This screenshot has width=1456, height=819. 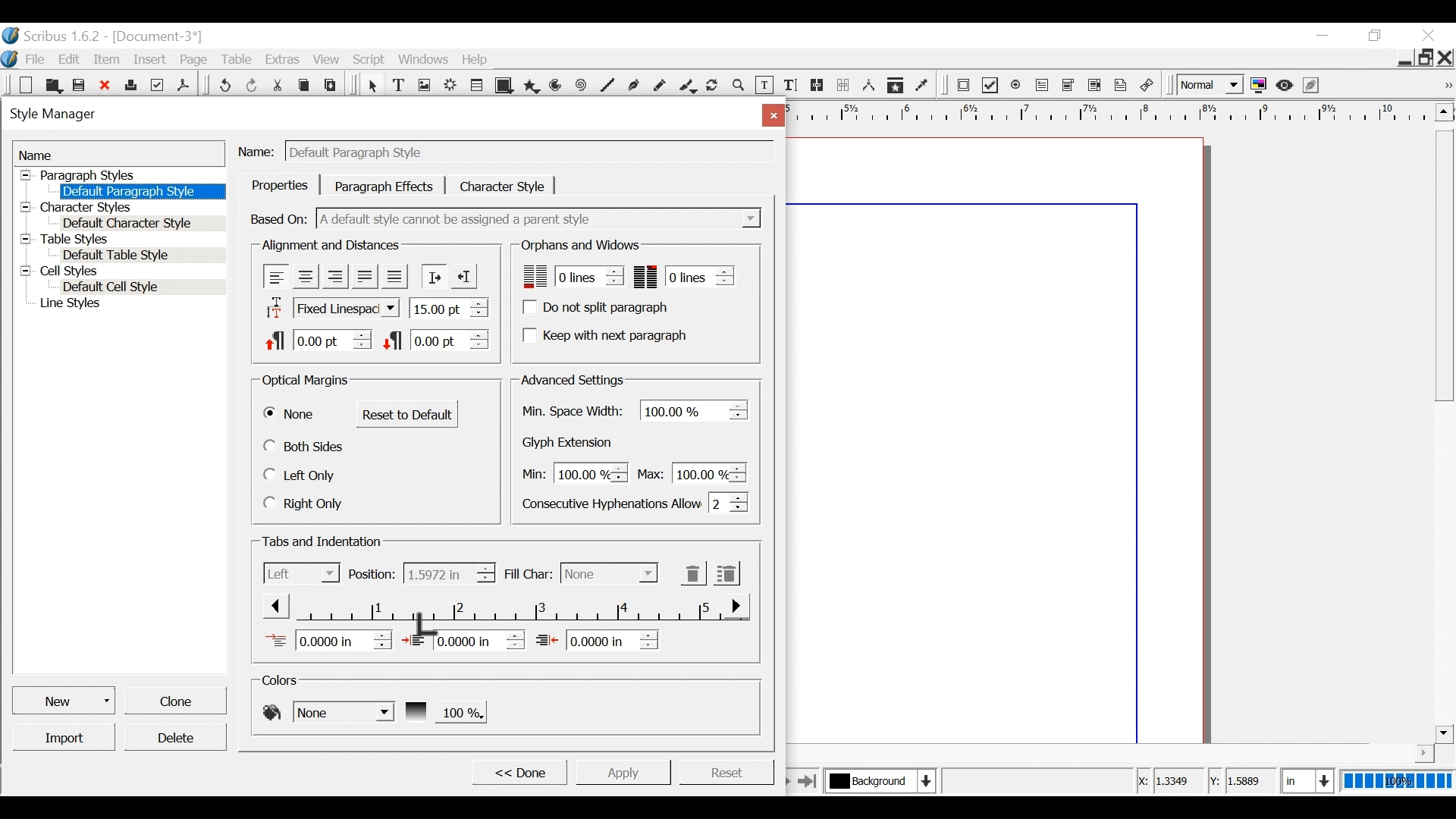 What do you see at coordinates (394, 277) in the screenshot?
I see `Align Forced Justified` at bounding box center [394, 277].